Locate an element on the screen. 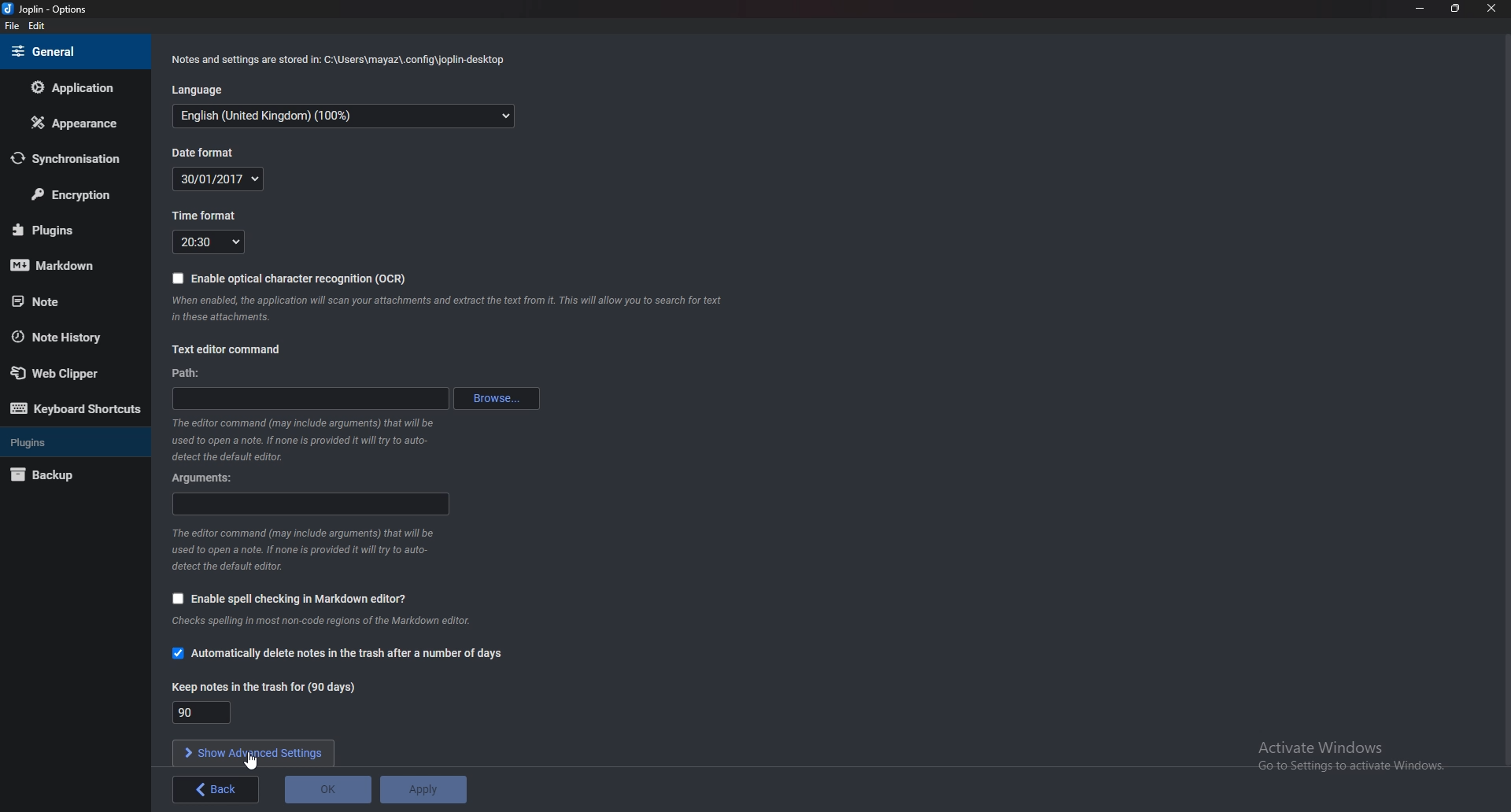 Image resolution: width=1511 pixels, height=812 pixels. Web clipper is located at coordinates (70, 374).